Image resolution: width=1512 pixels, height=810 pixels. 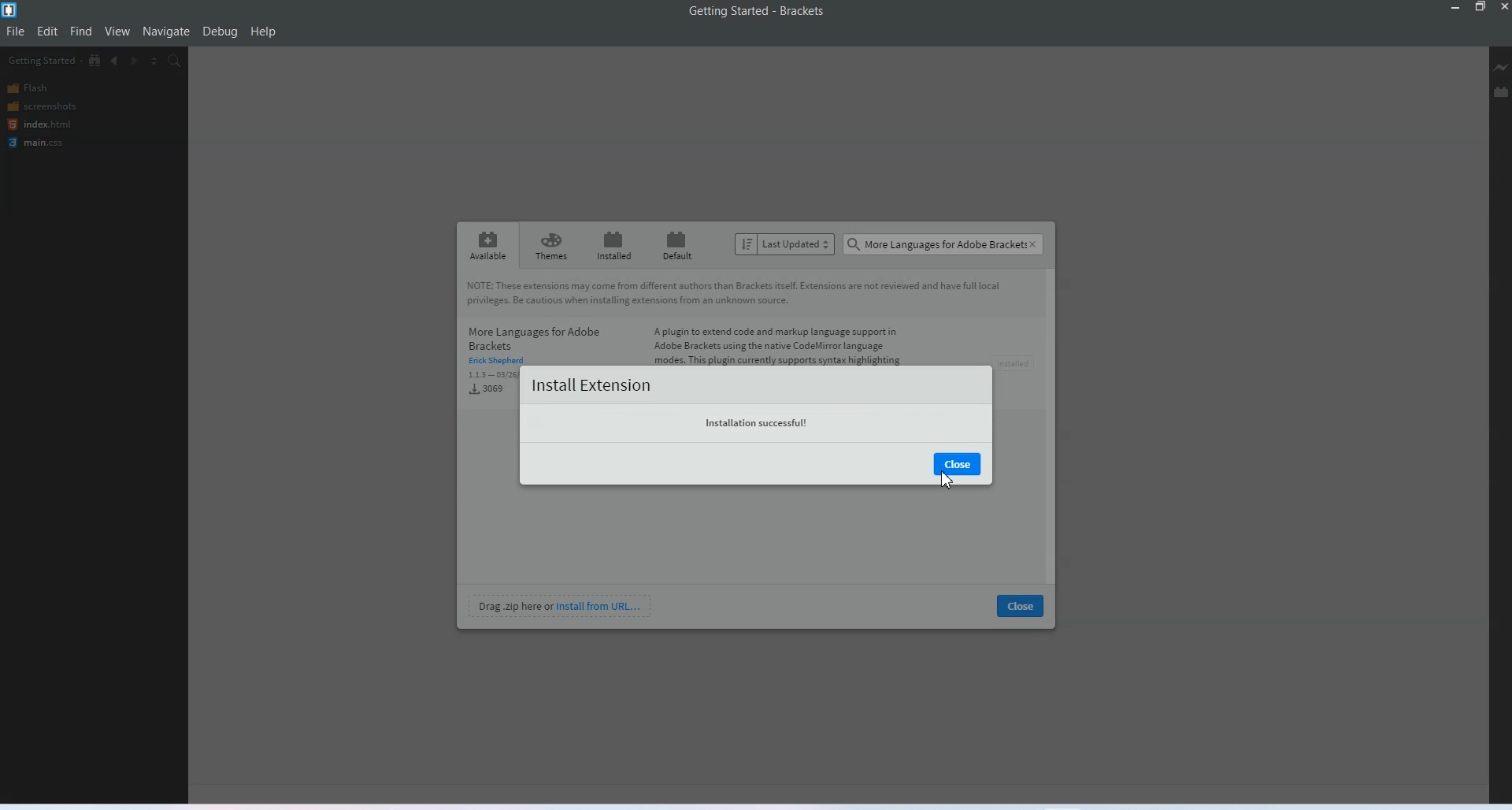 What do you see at coordinates (53, 107) in the screenshot?
I see `Screenshots` at bounding box center [53, 107].